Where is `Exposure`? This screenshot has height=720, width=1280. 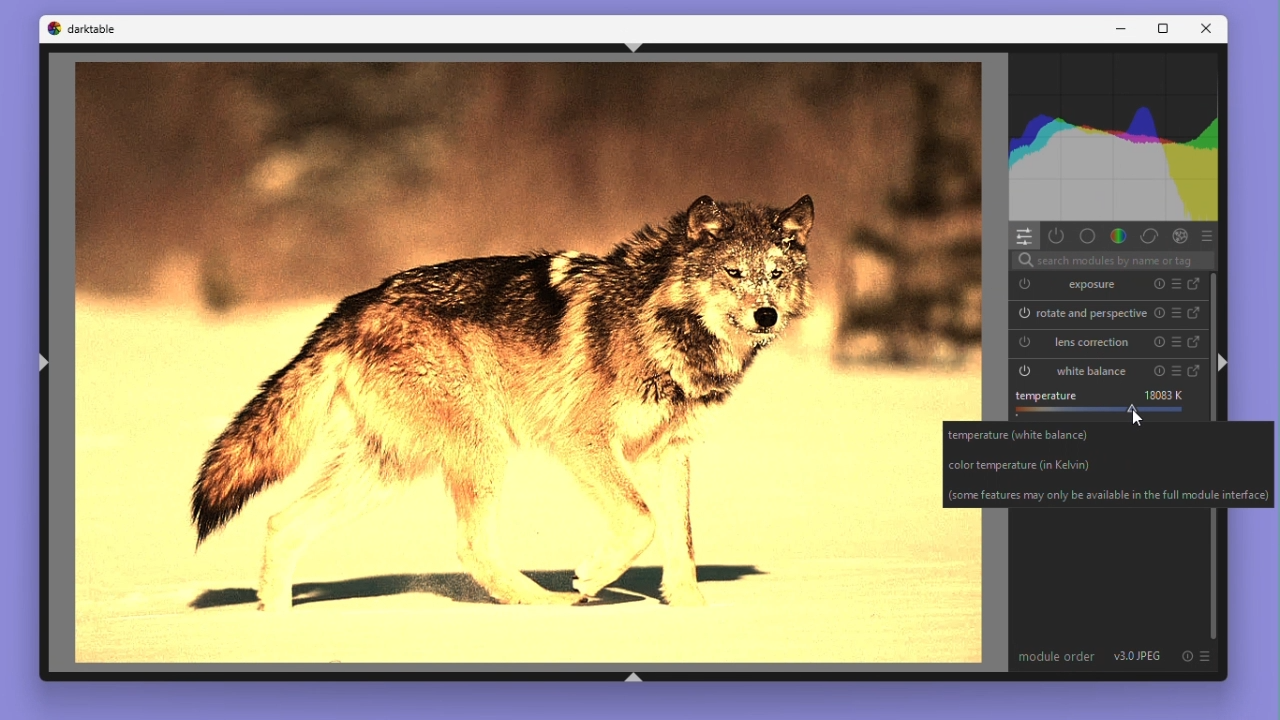
Exposure is located at coordinates (1073, 286).